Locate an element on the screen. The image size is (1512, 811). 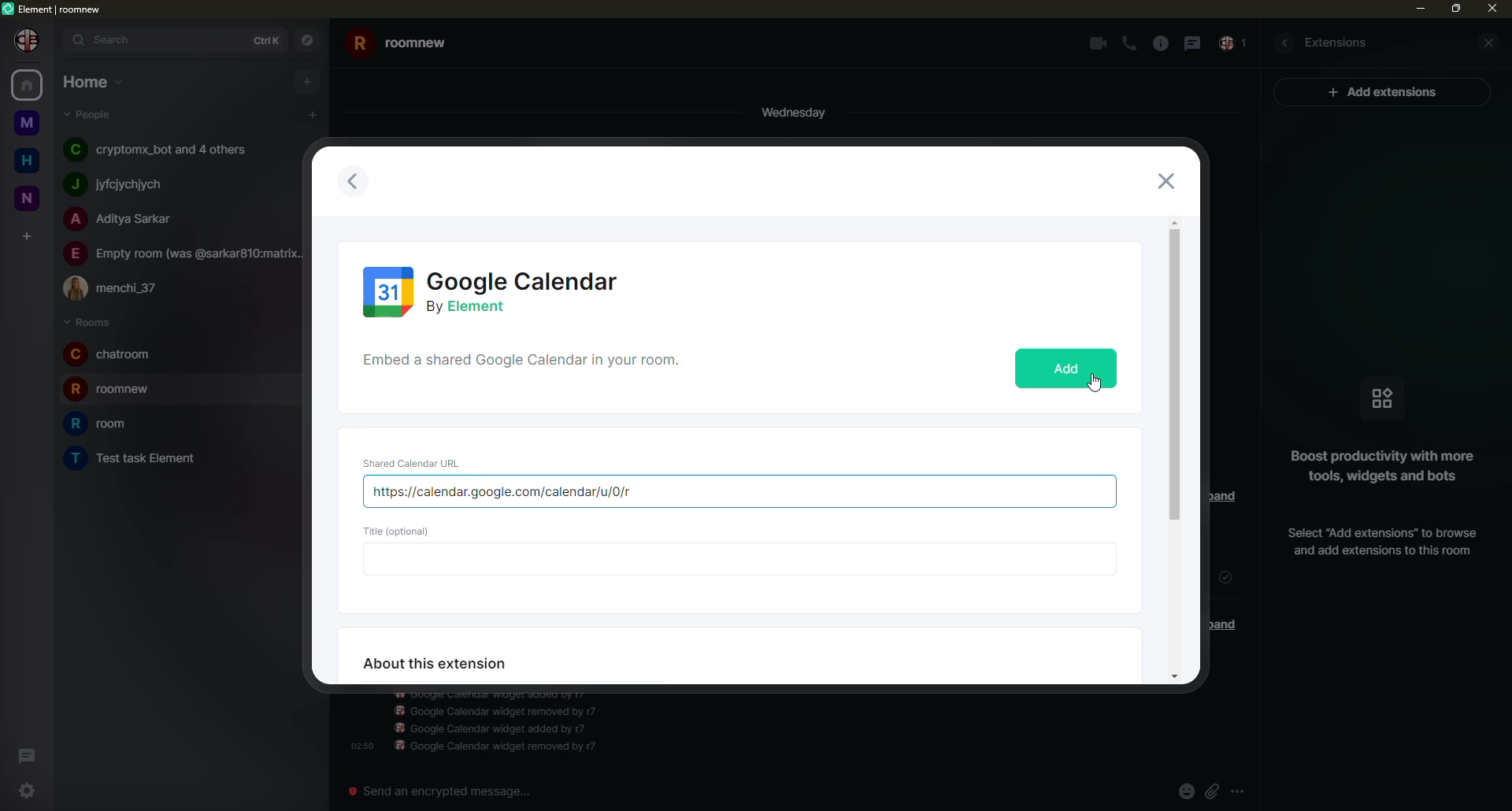
add extension info is located at coordinates (1379, 542).